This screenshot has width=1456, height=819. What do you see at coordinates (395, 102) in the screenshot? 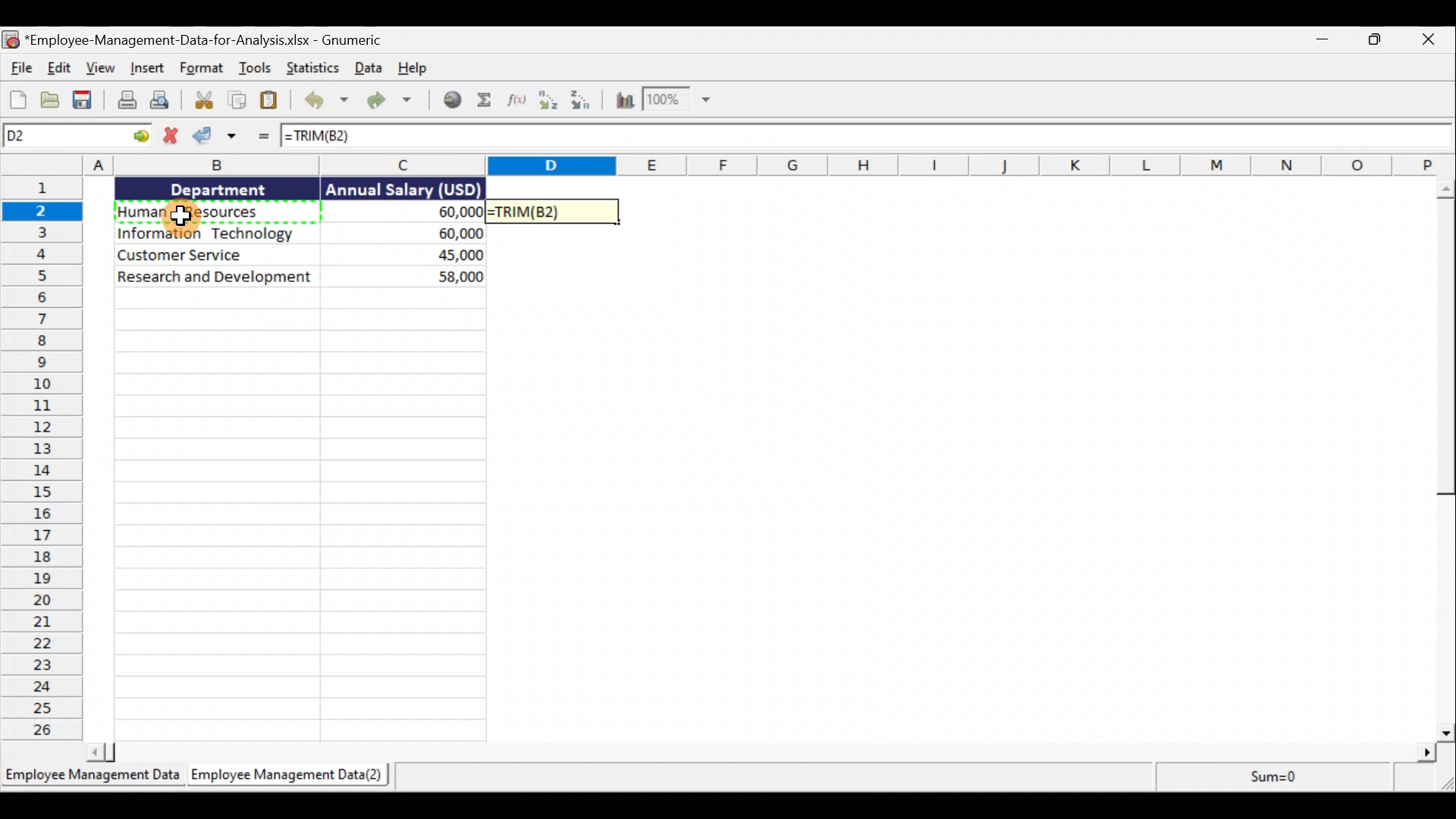
I see `Redo the undone action` at bounding box center [395, 102].